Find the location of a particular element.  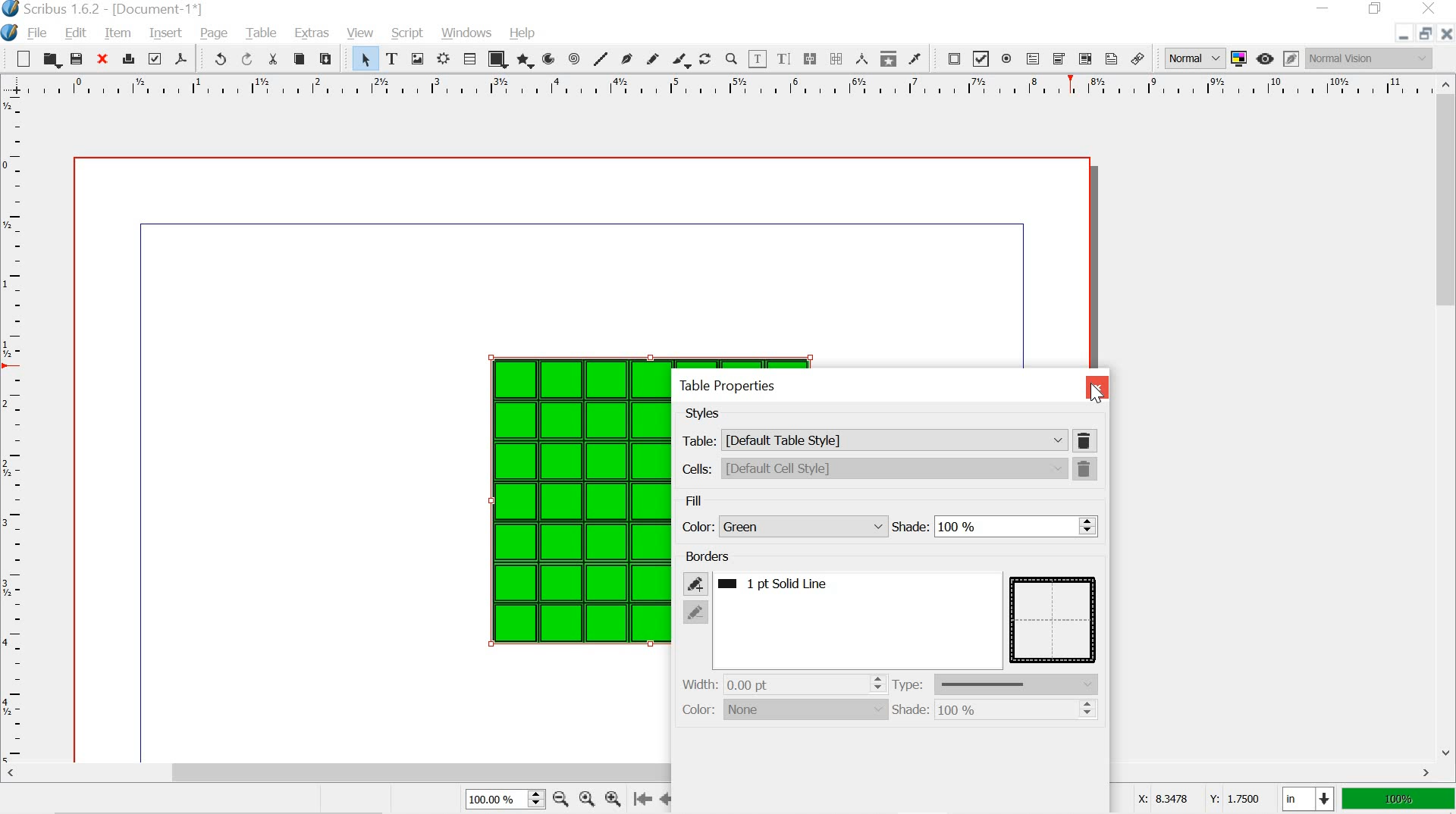

100% is located at coordinates (1396, 800).